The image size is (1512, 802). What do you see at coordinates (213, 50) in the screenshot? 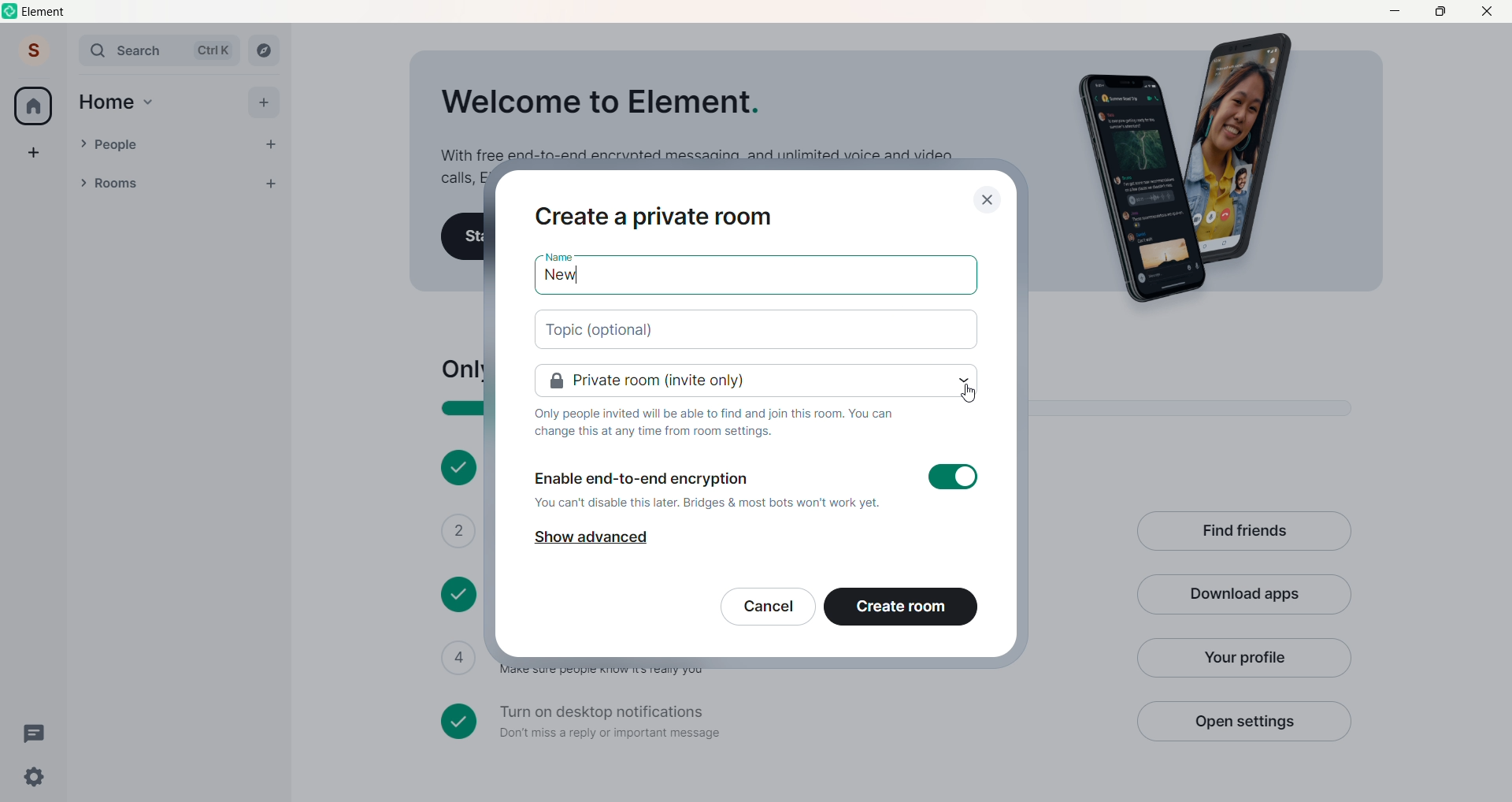
I see `Ctrl K` at bounding box center [213, 50].